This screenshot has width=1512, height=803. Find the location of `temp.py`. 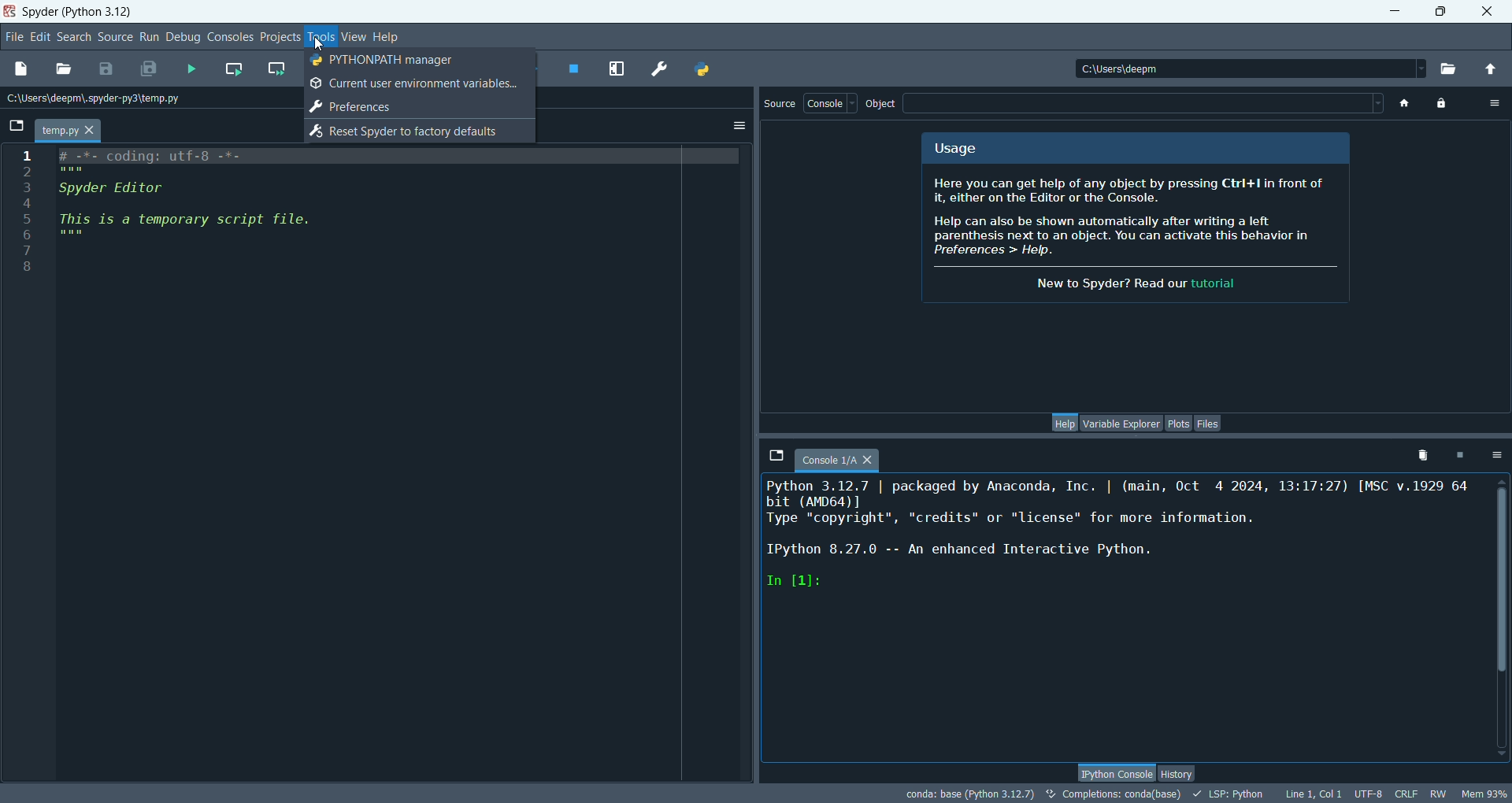

temp.py is located at coordinates (69, 131).